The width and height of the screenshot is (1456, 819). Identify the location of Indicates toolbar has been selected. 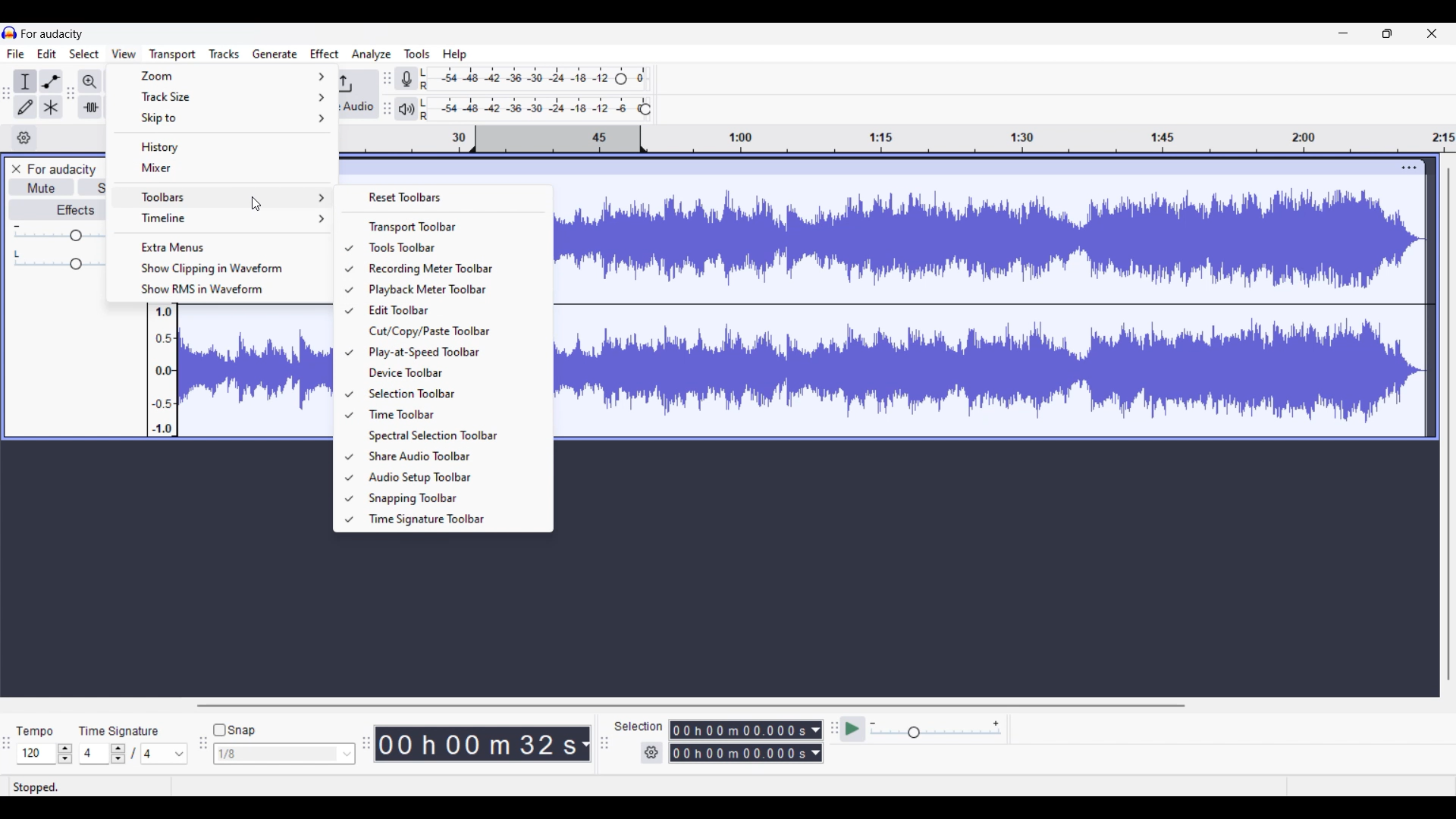
(348, 384).